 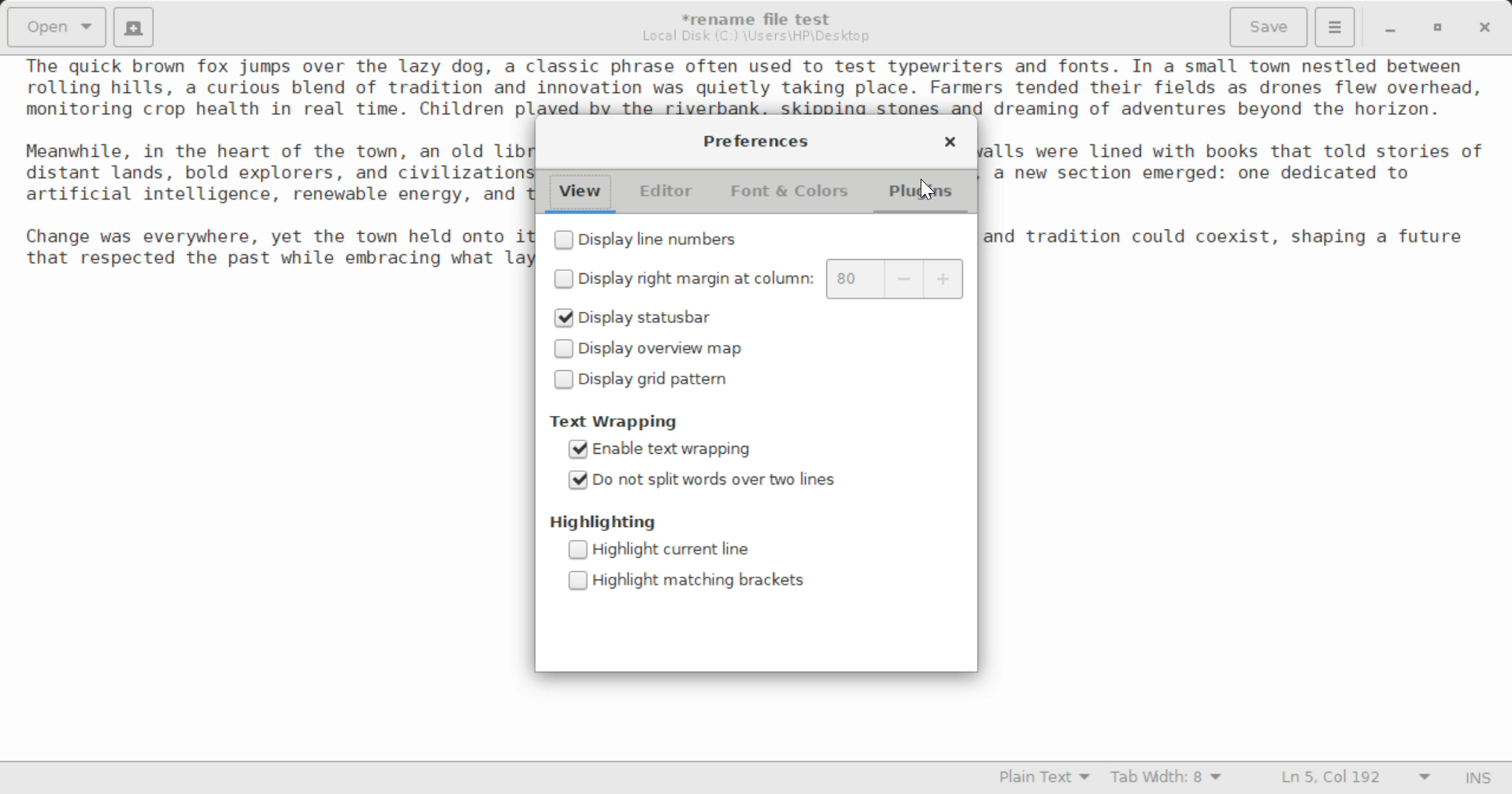 What do you see at coordinates (921, 195) in the screenshot?
I see `Plugins Tab` at bounding box center [921, 195].